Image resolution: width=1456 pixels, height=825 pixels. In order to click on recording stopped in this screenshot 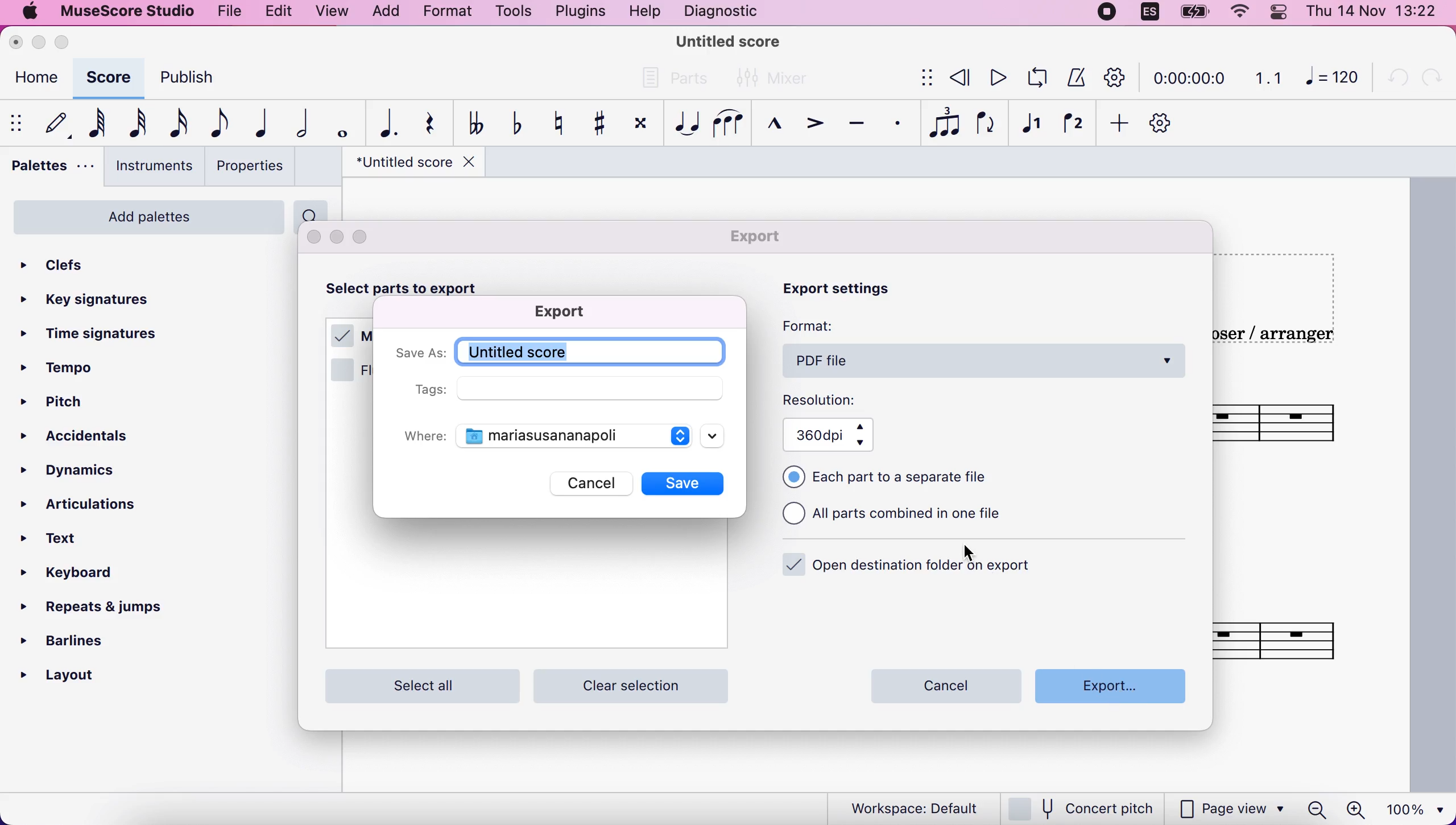, I will do `click(1103, 14)`.